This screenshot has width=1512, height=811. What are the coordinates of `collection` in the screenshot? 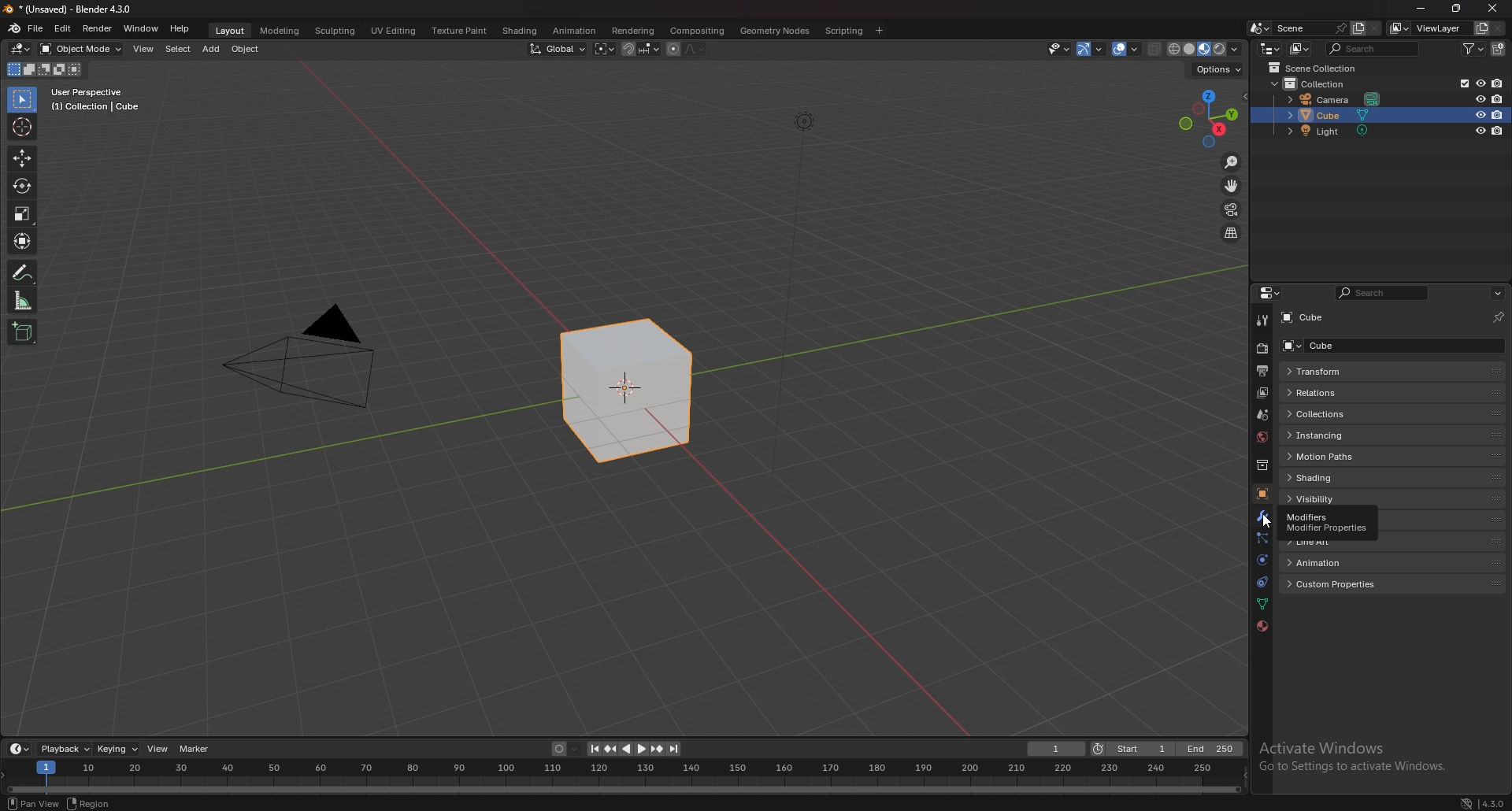 It's located at (1261, 465).